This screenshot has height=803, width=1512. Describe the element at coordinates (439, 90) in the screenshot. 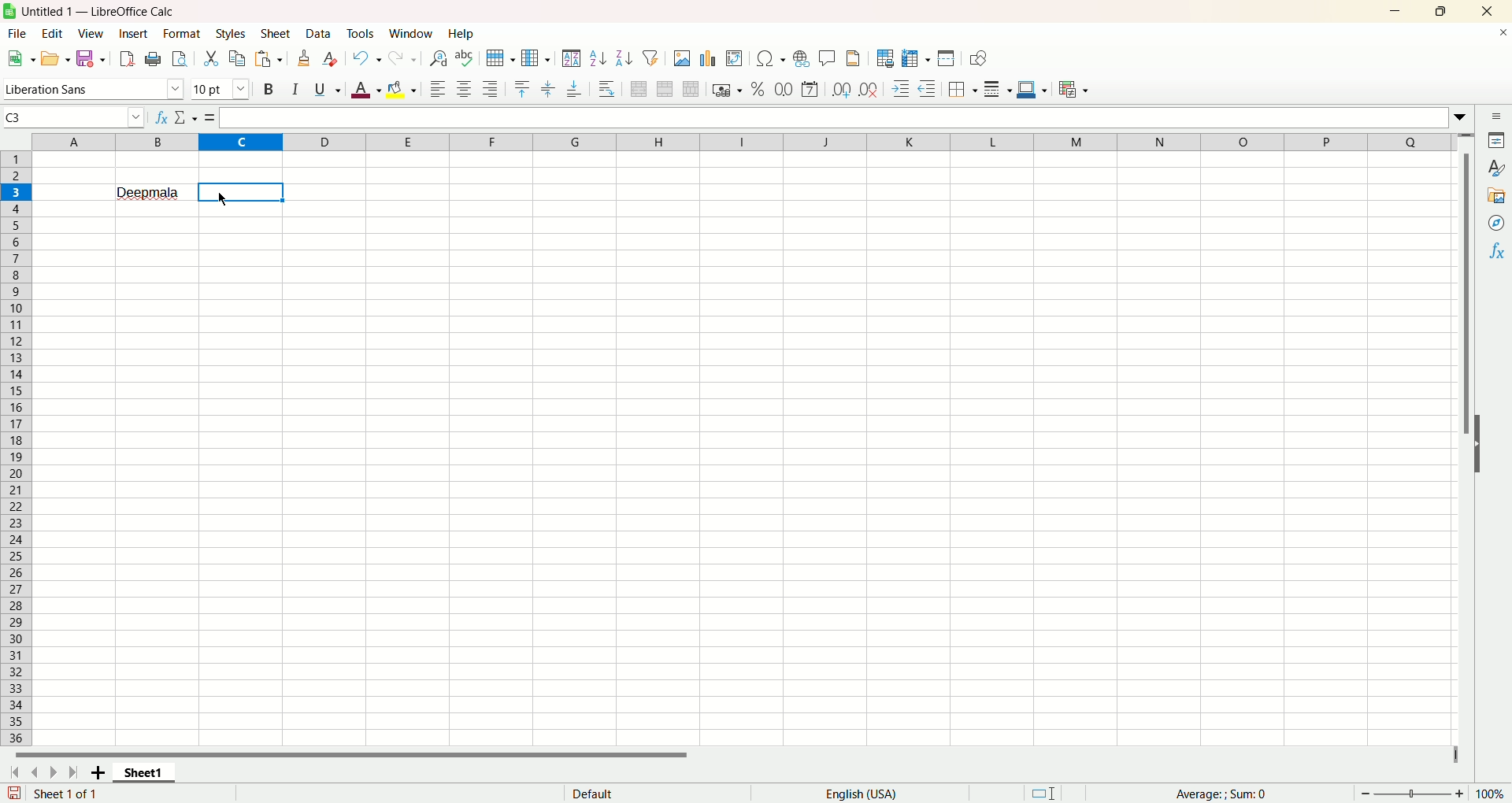

I see `align left` at that location.